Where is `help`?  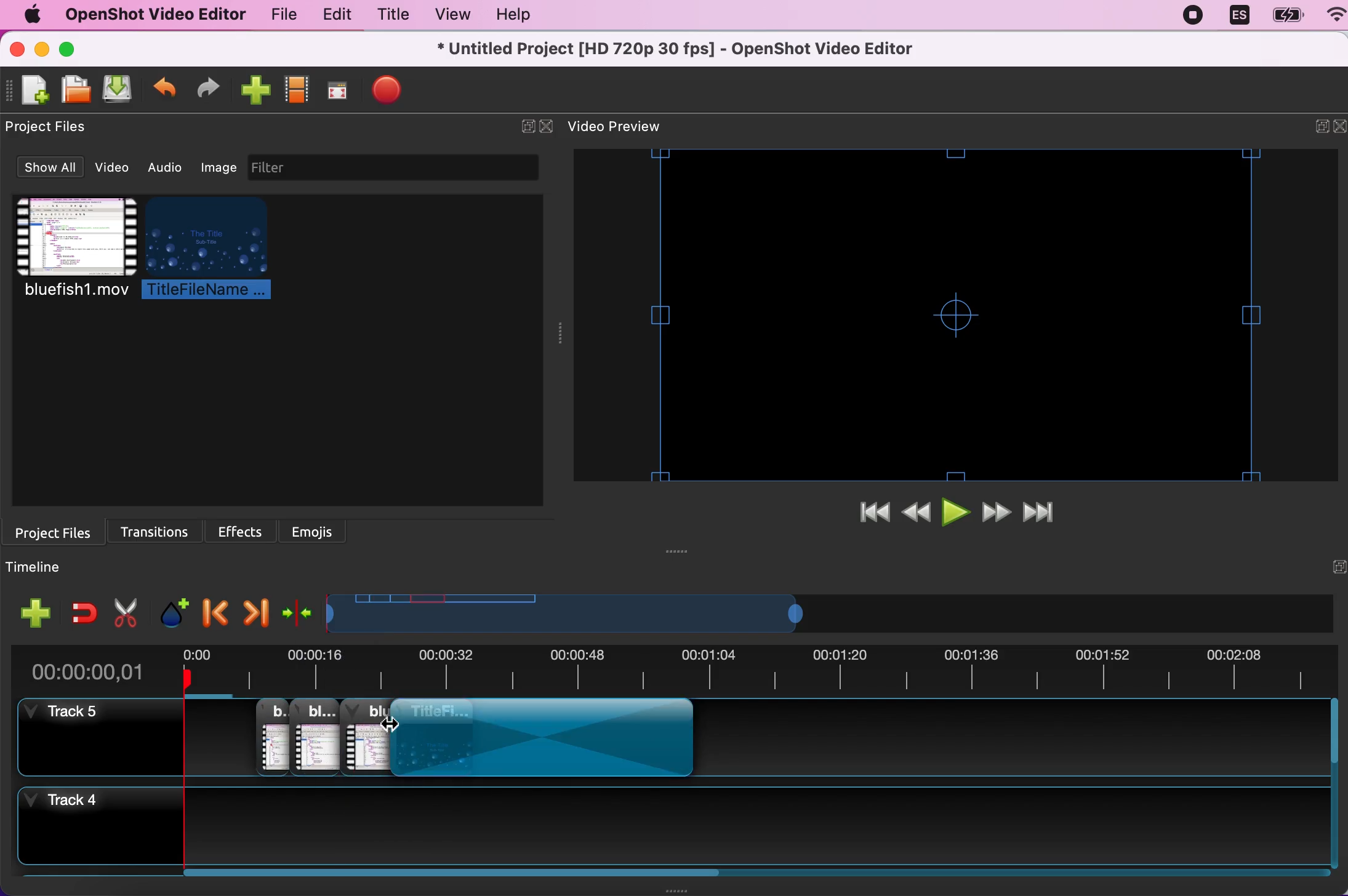
help is located at coordinates (508, 17).